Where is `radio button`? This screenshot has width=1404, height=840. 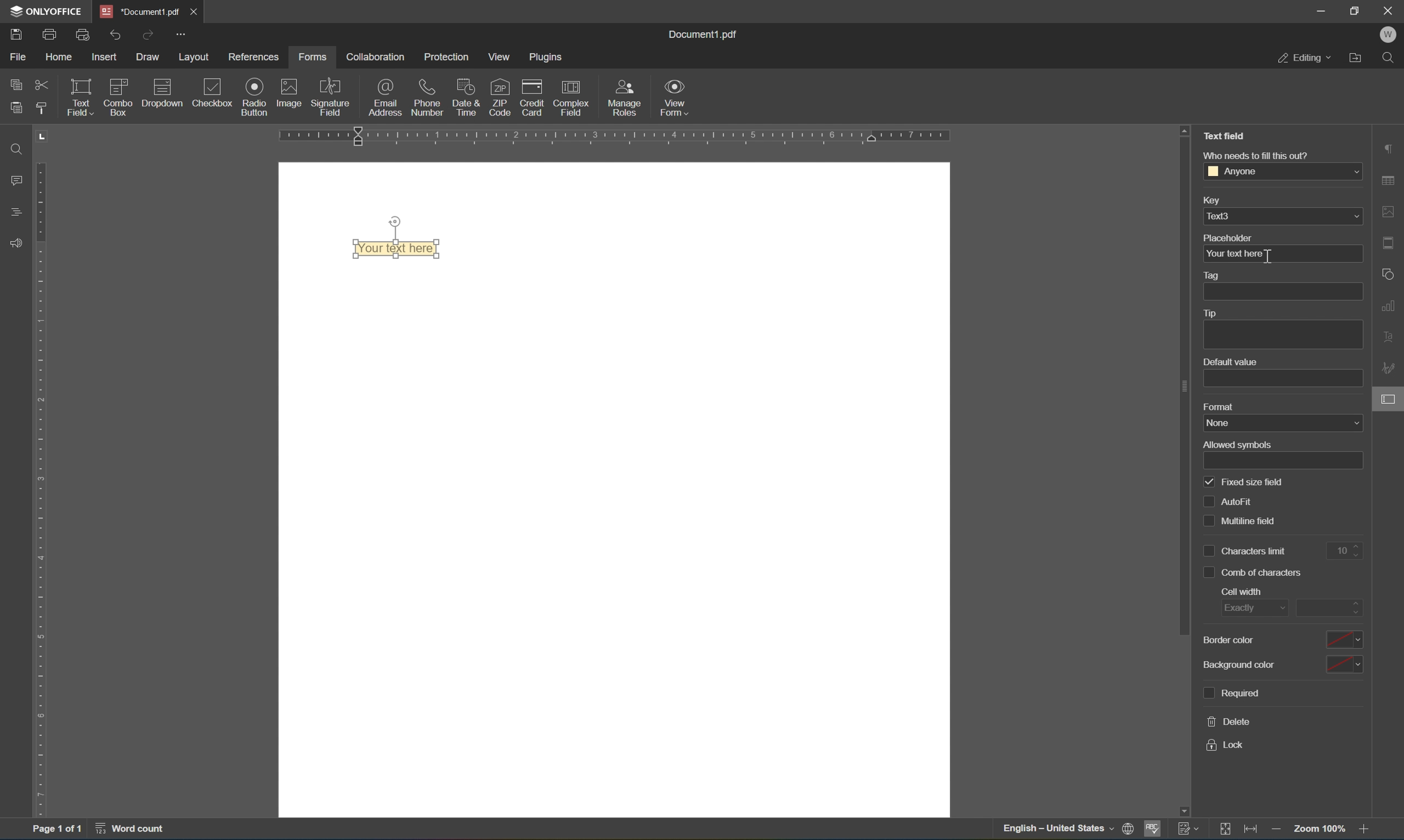
radio button is located at coordinates (255, 96).